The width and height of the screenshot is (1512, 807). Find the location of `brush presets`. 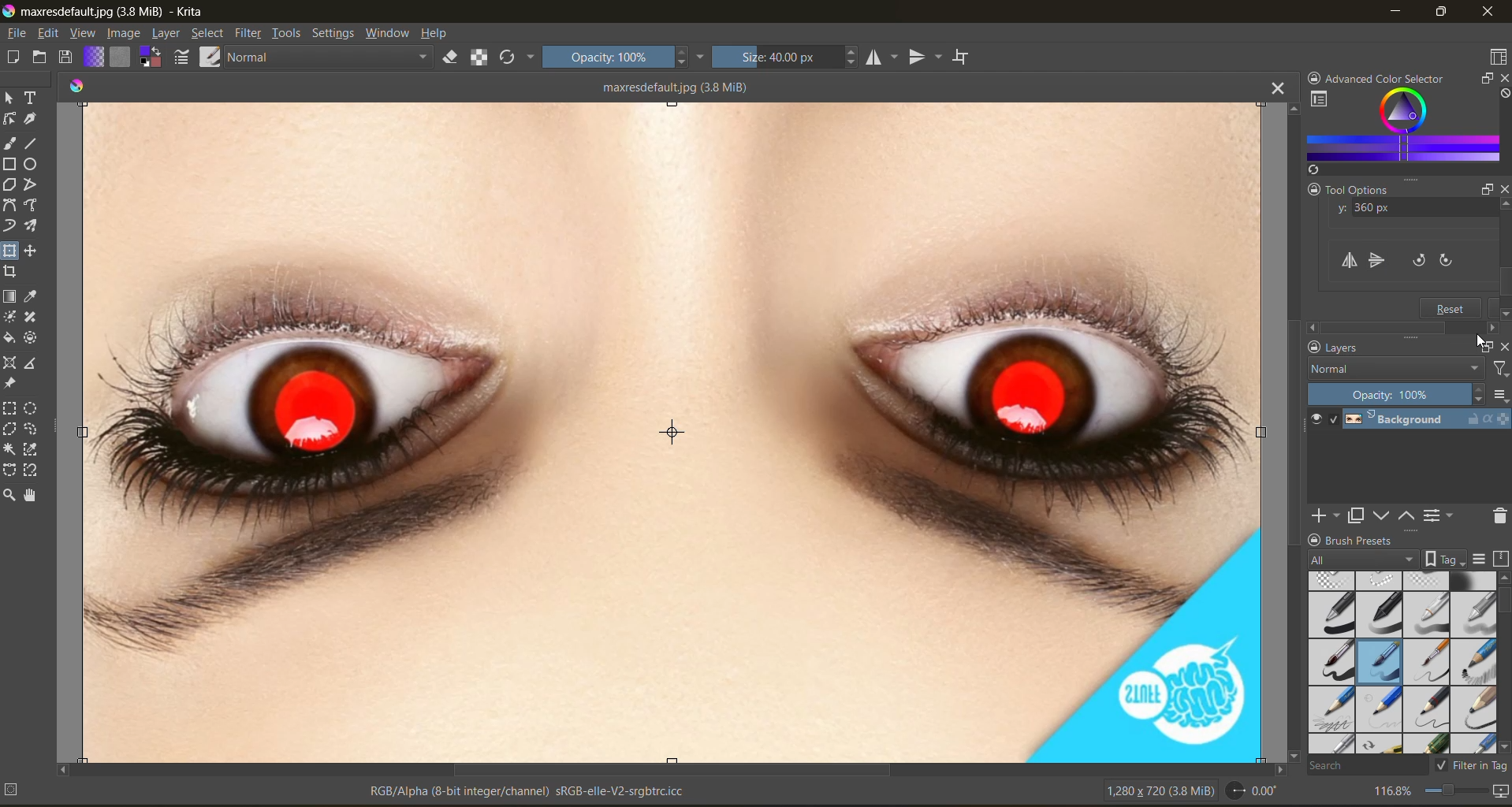

brush presets is located at coordinates (1402, 663).